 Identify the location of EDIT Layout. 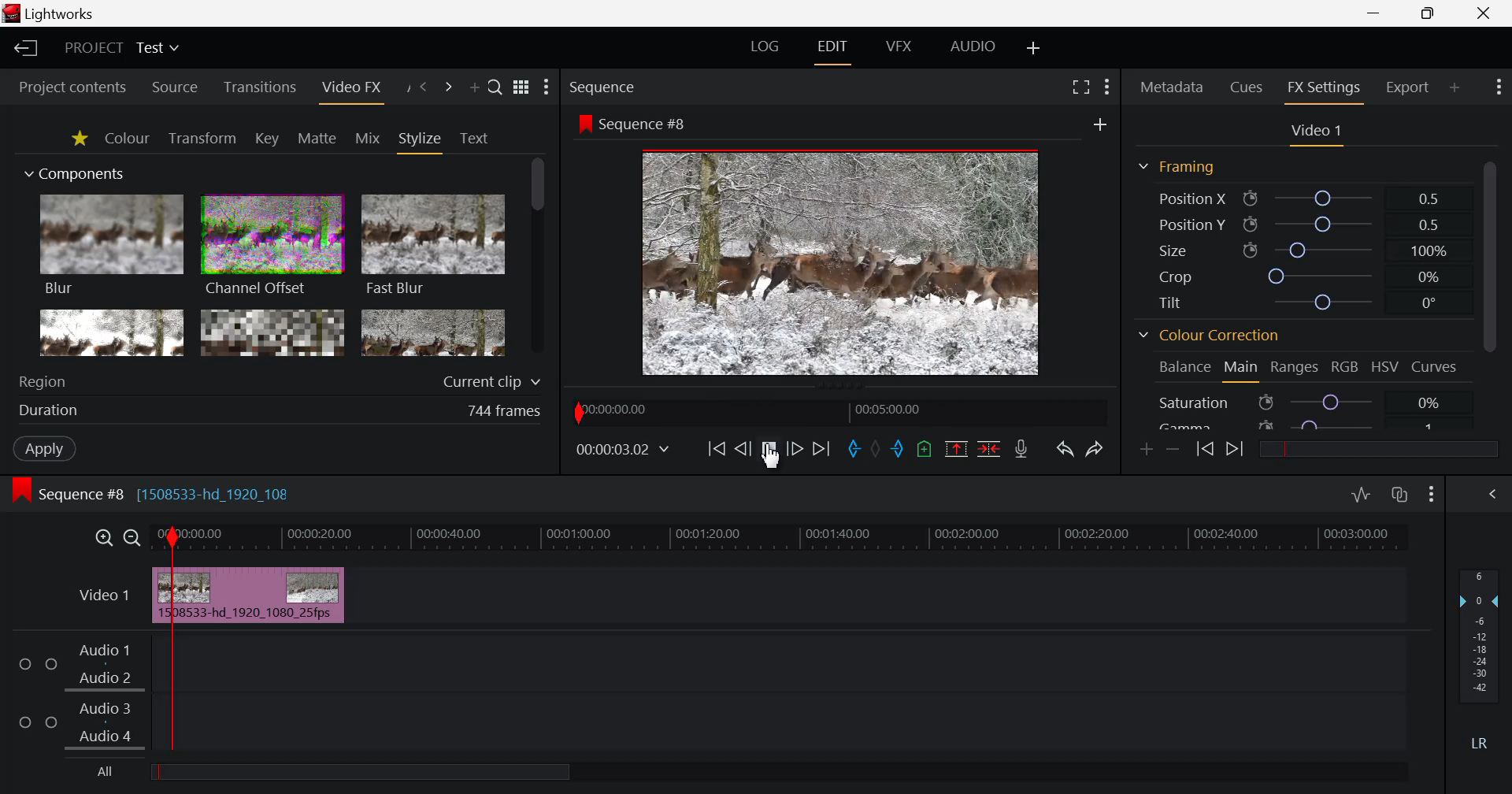
(831, 50).